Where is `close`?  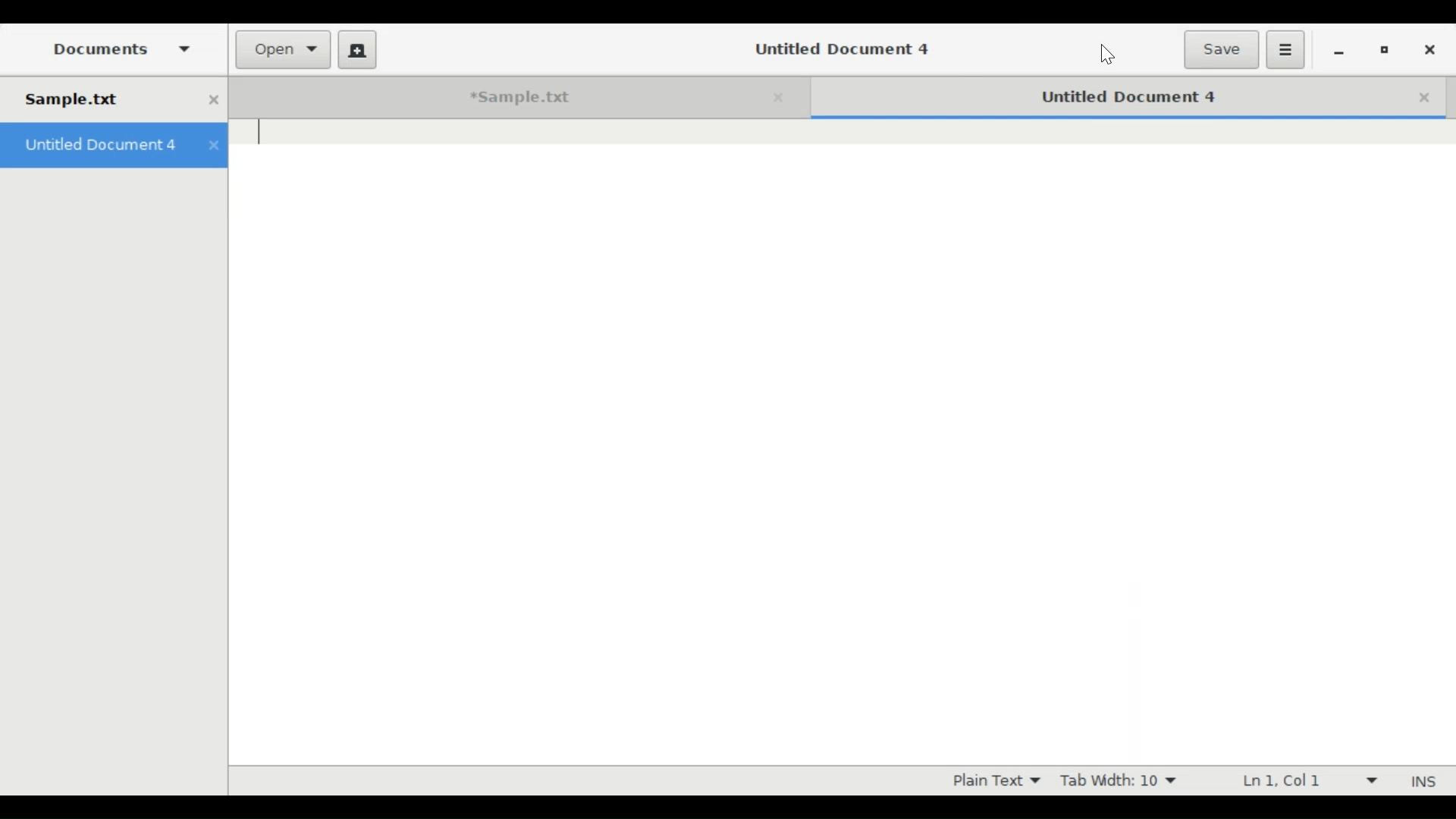 close is located at coordinates (209, 146).